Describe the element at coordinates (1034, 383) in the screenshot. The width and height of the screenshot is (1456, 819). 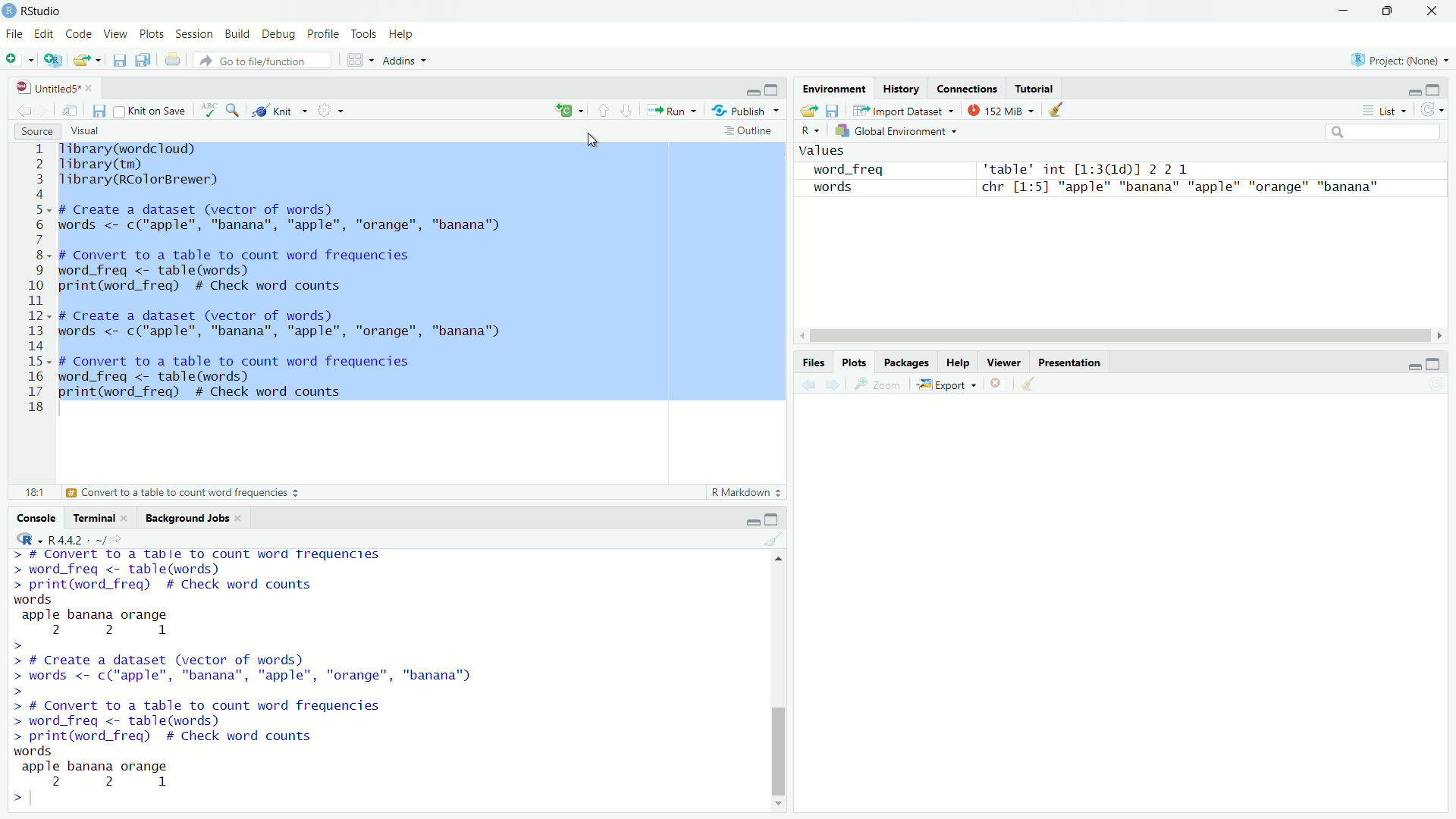
I see `Clear Console` at that location.